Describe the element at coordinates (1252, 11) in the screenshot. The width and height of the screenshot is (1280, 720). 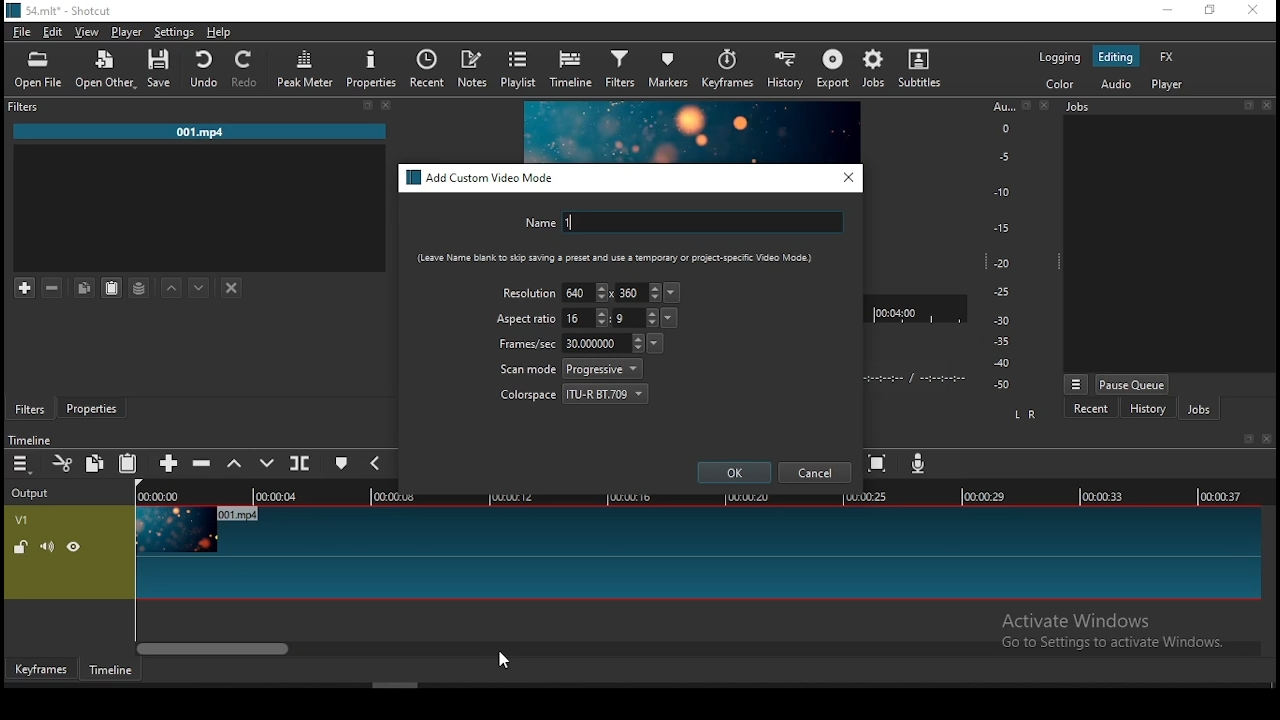
I see `close window` at that location.